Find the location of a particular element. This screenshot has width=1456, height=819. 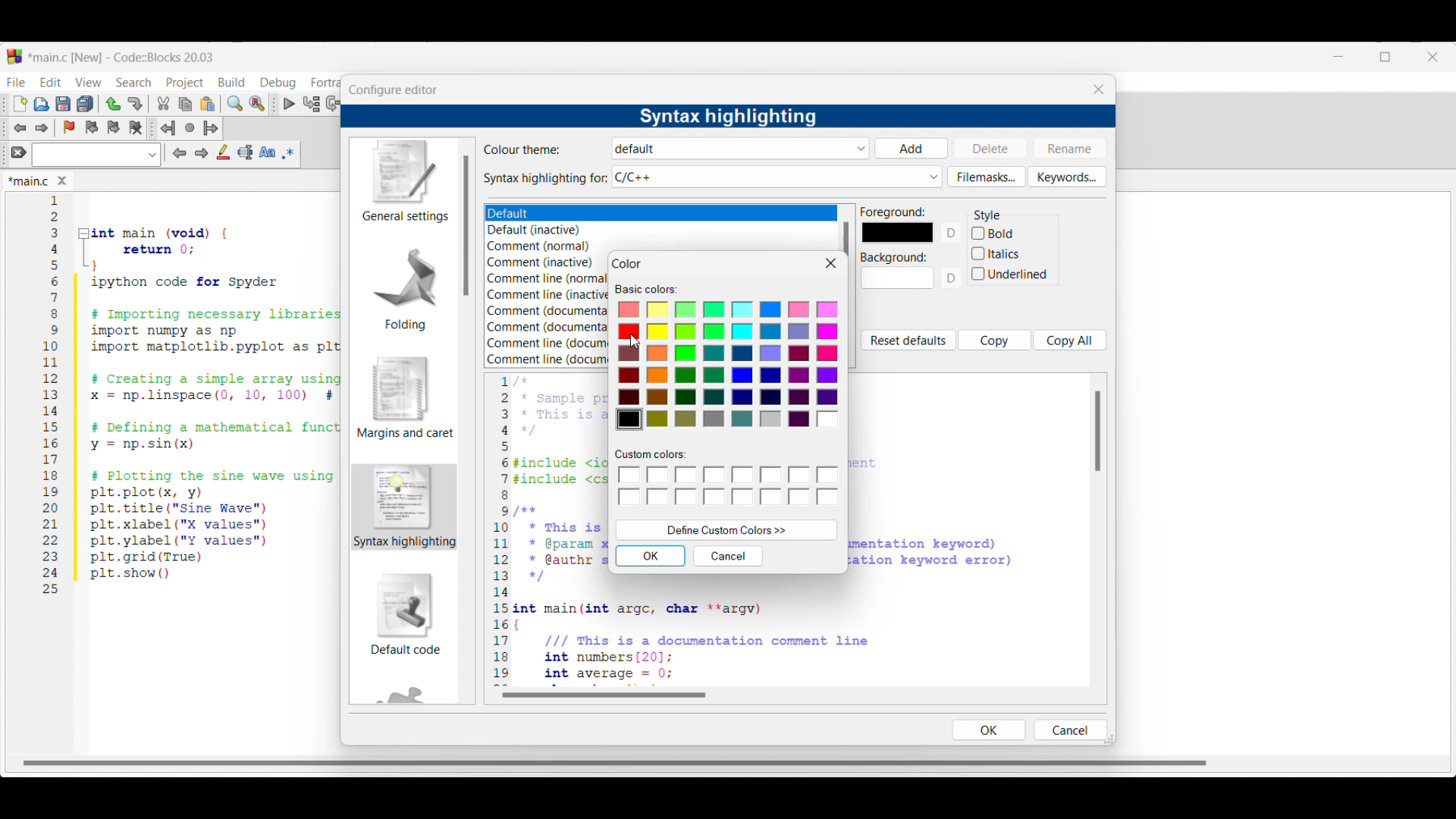

D is located at coordinates (953, 282).